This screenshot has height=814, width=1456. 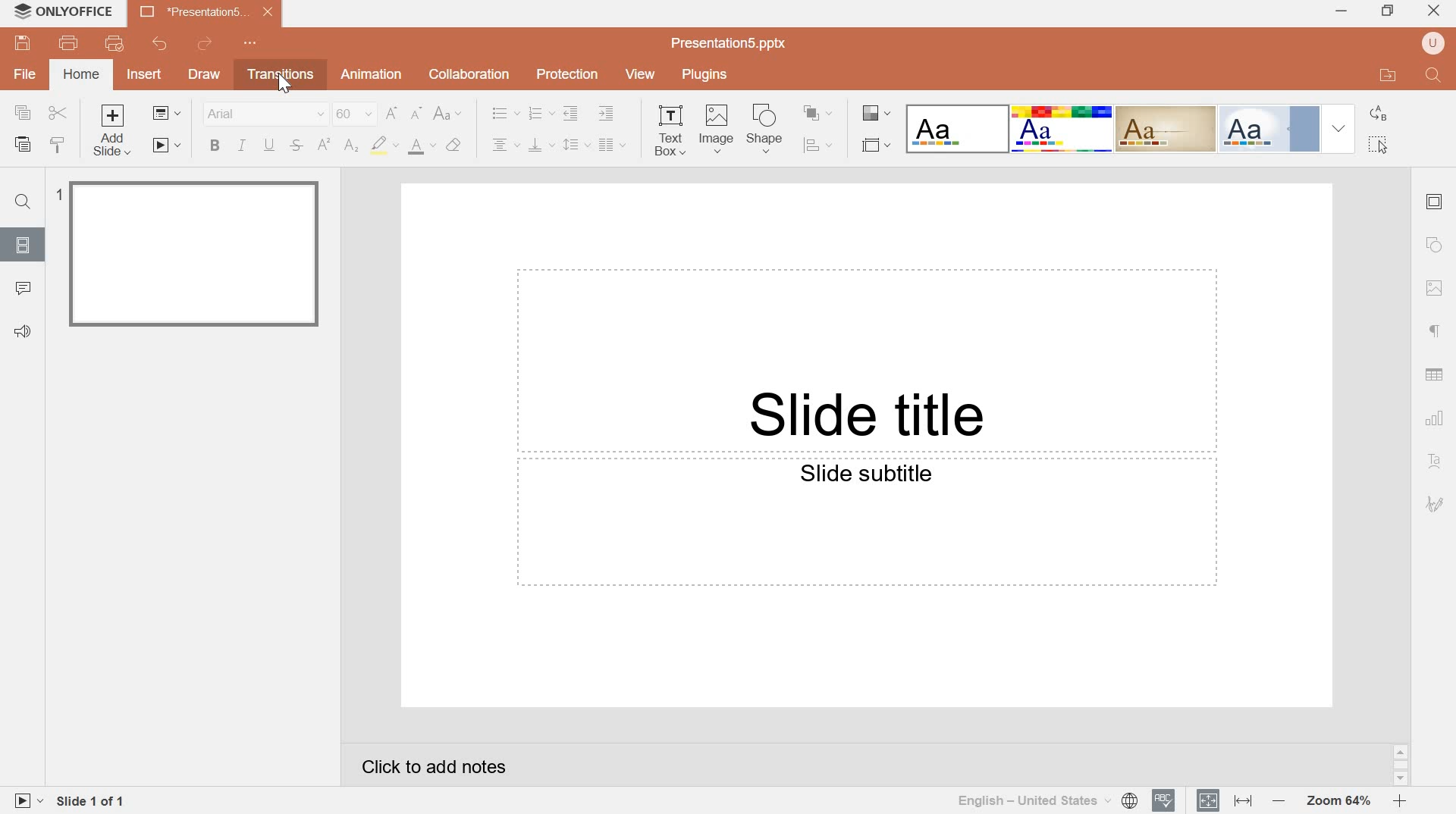 I want to click on Cut, so click(x=57, y=114).